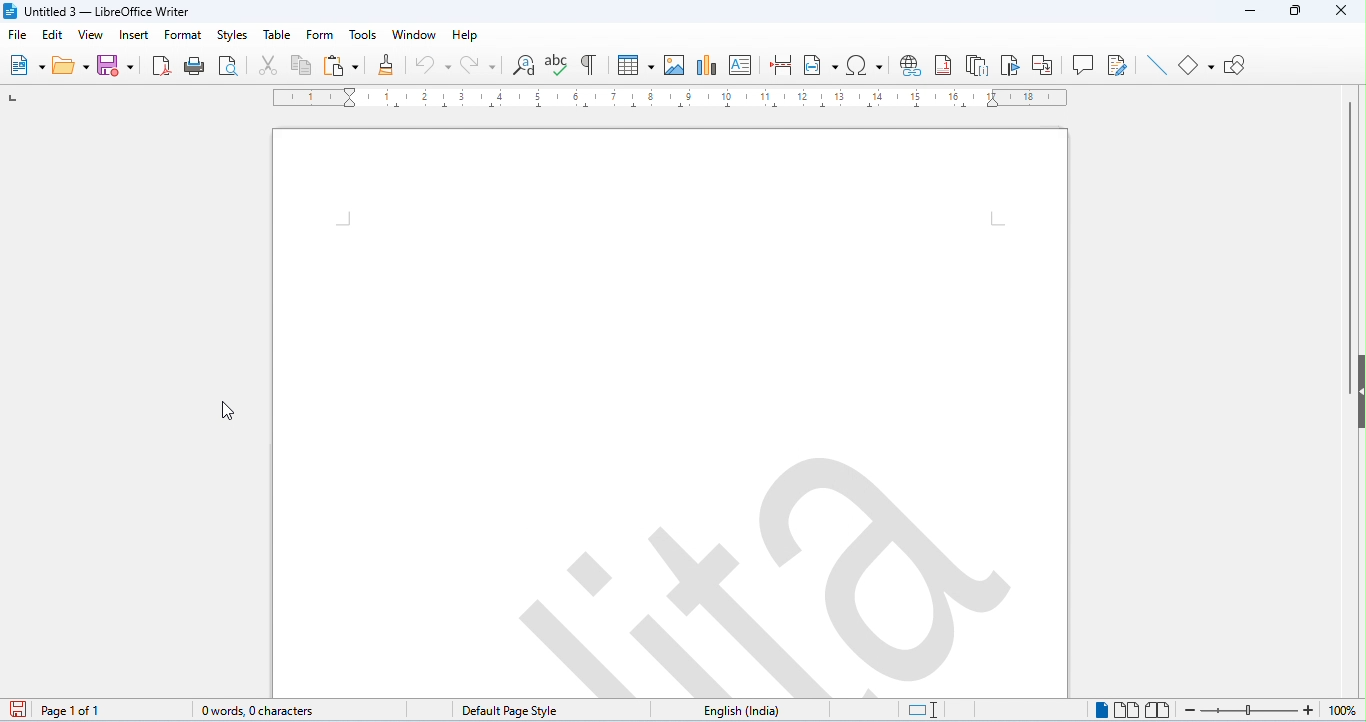 Image resolution: width=1366 pixels, height=722 pixels. What do you see at coordinates (196, 67) in the screenshot?
I see `print` at bounding box center [196, 67].